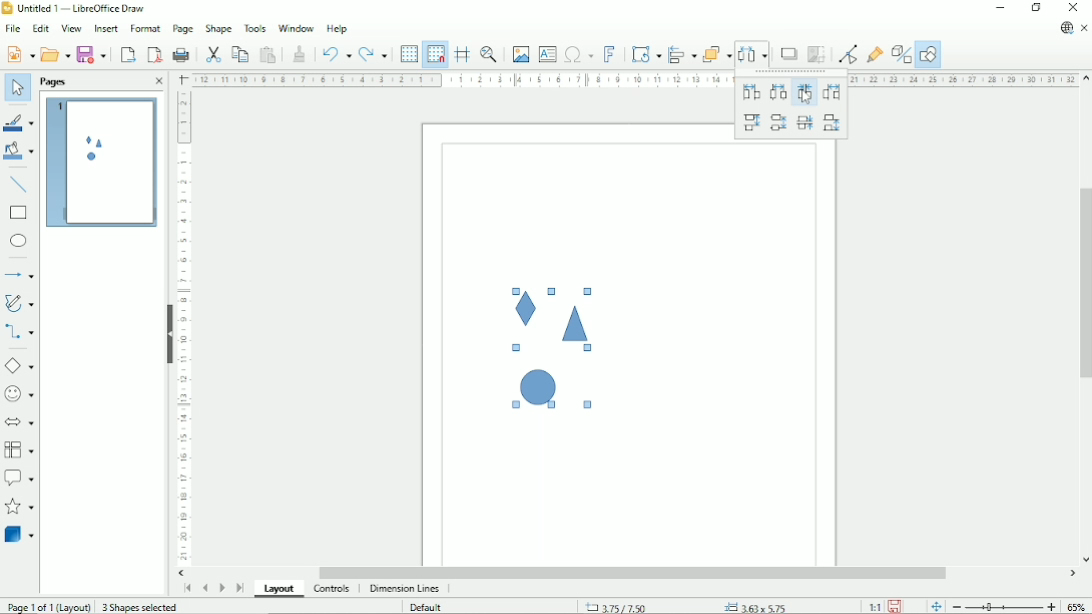 The width and height of the screenshot is (1092, 614). Describe the element at coordinates (20, 534) in the screenshot. I see `3D Objects` at that location.